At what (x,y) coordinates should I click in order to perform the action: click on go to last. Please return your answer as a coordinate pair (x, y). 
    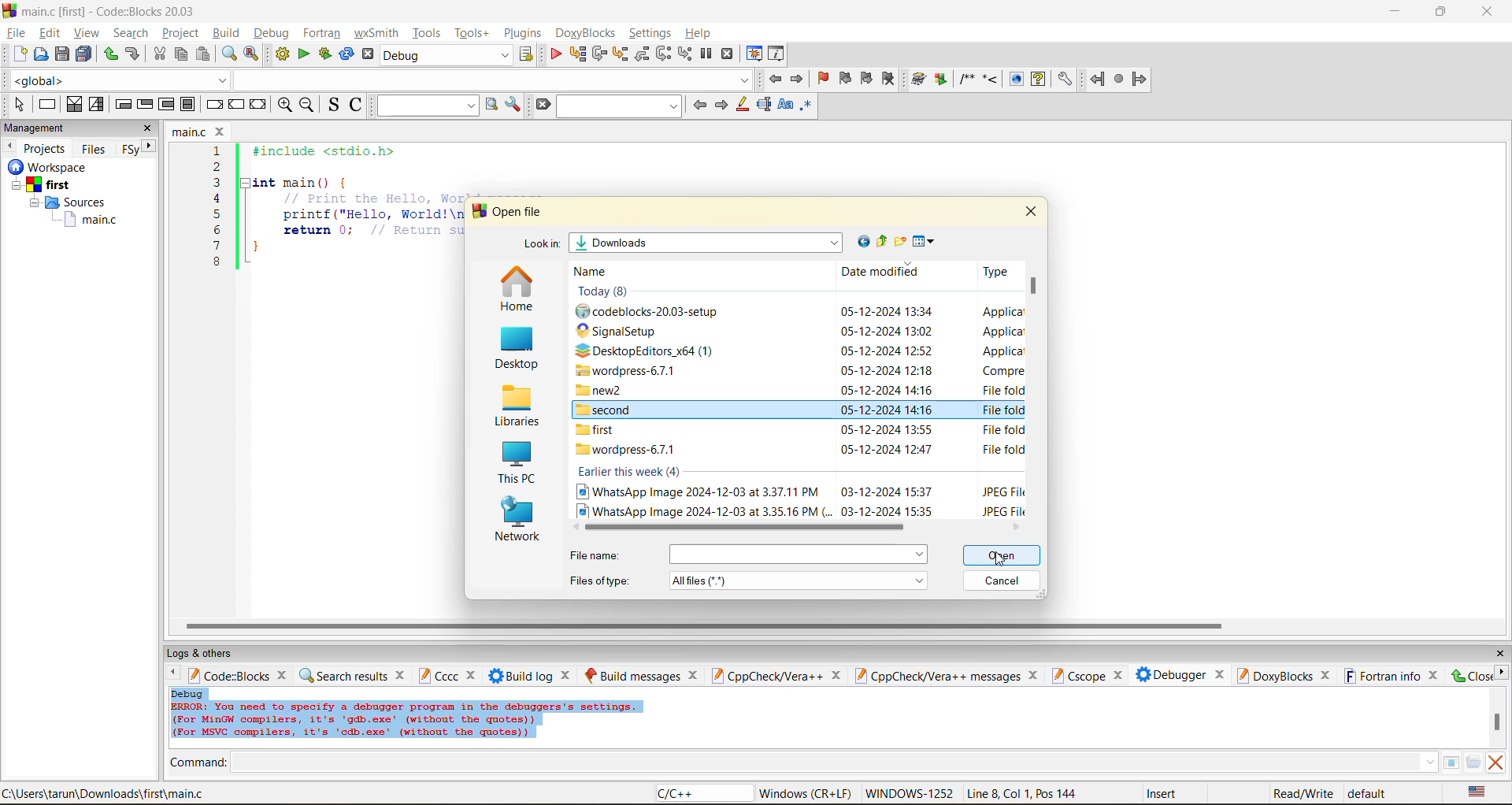
    Looking at the image, I should click on (861, 241).